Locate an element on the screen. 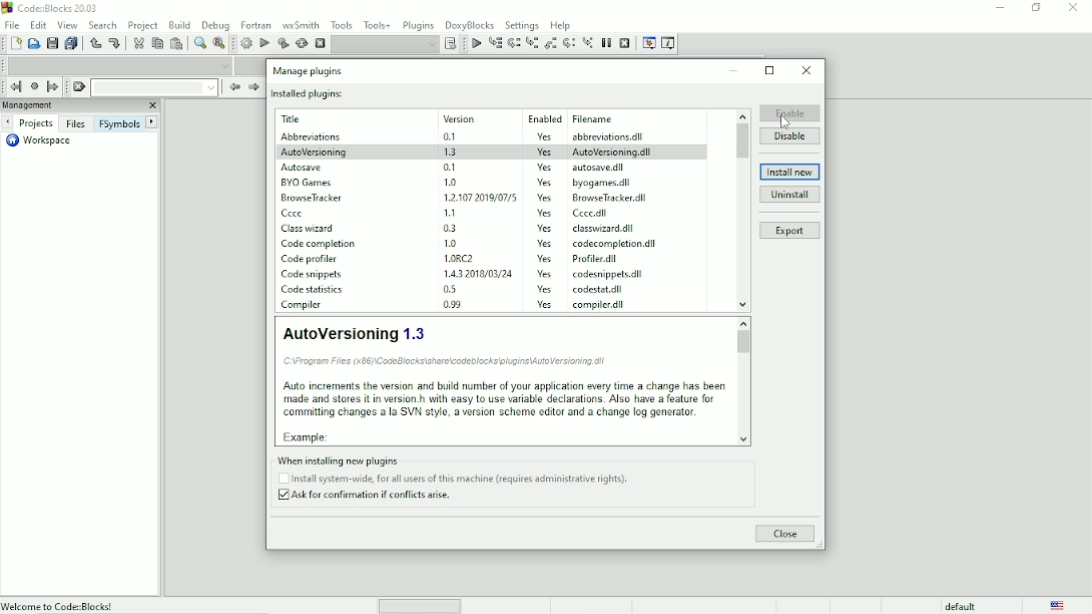  version  is located at coordinates (452, 167).